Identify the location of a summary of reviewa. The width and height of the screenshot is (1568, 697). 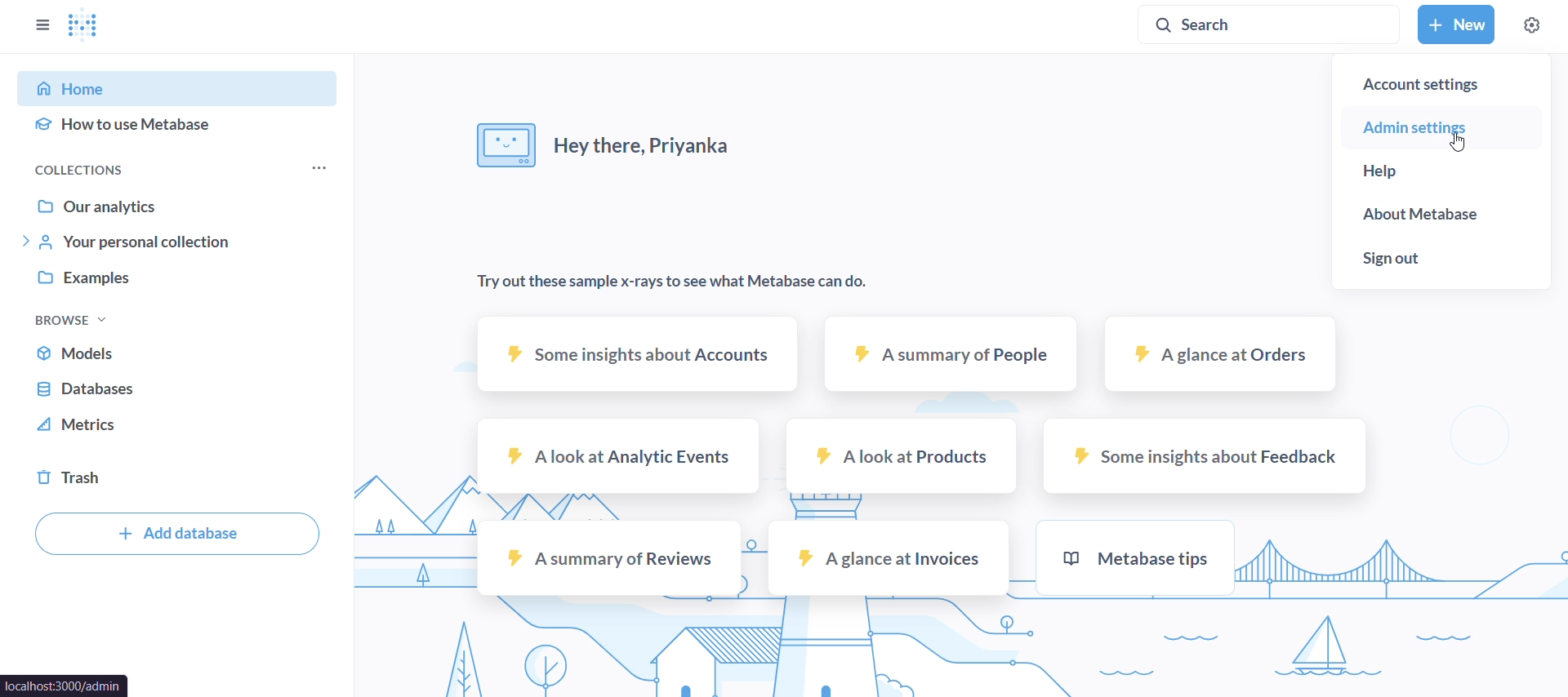
(608, 557).